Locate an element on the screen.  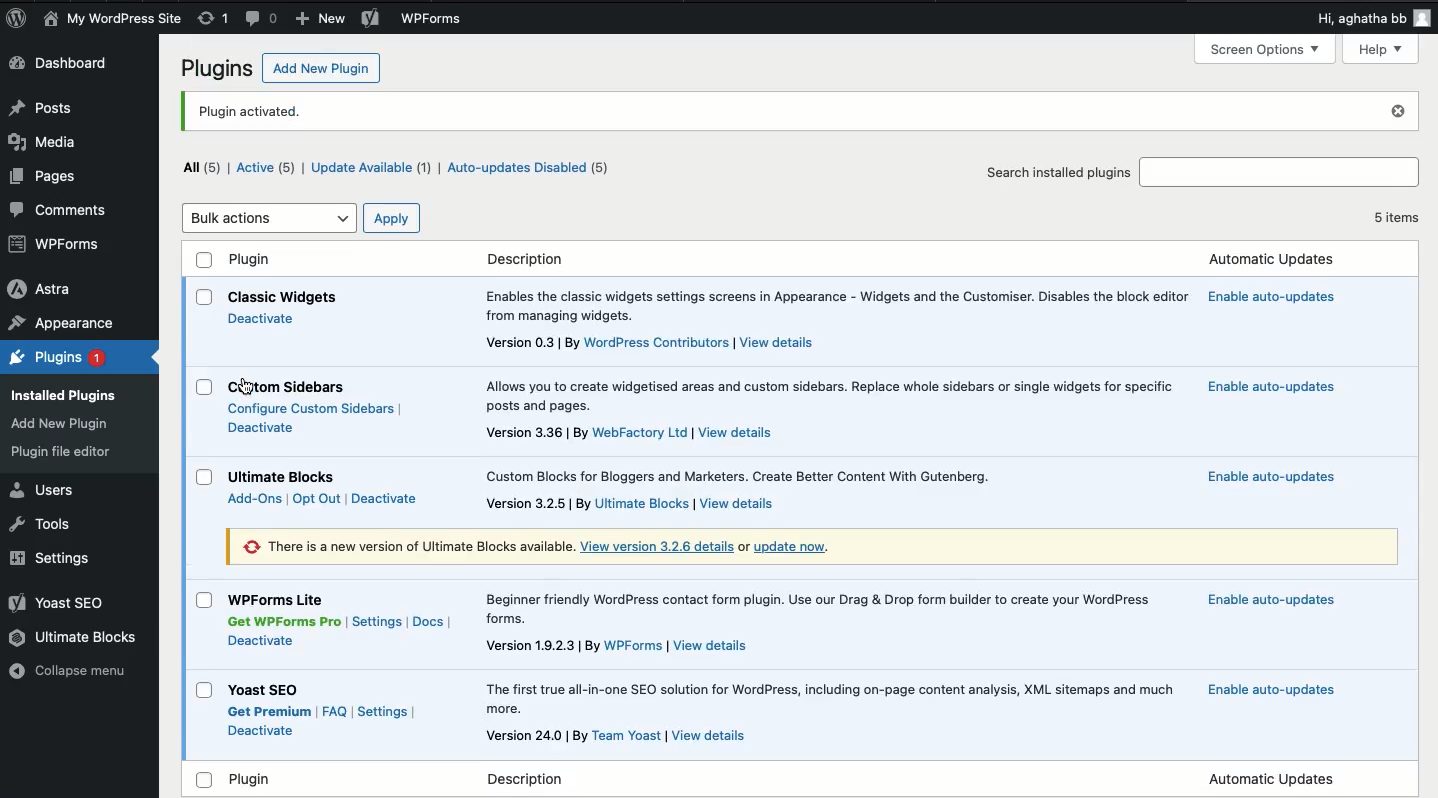
Plugins is located at coordinates (56, 359).